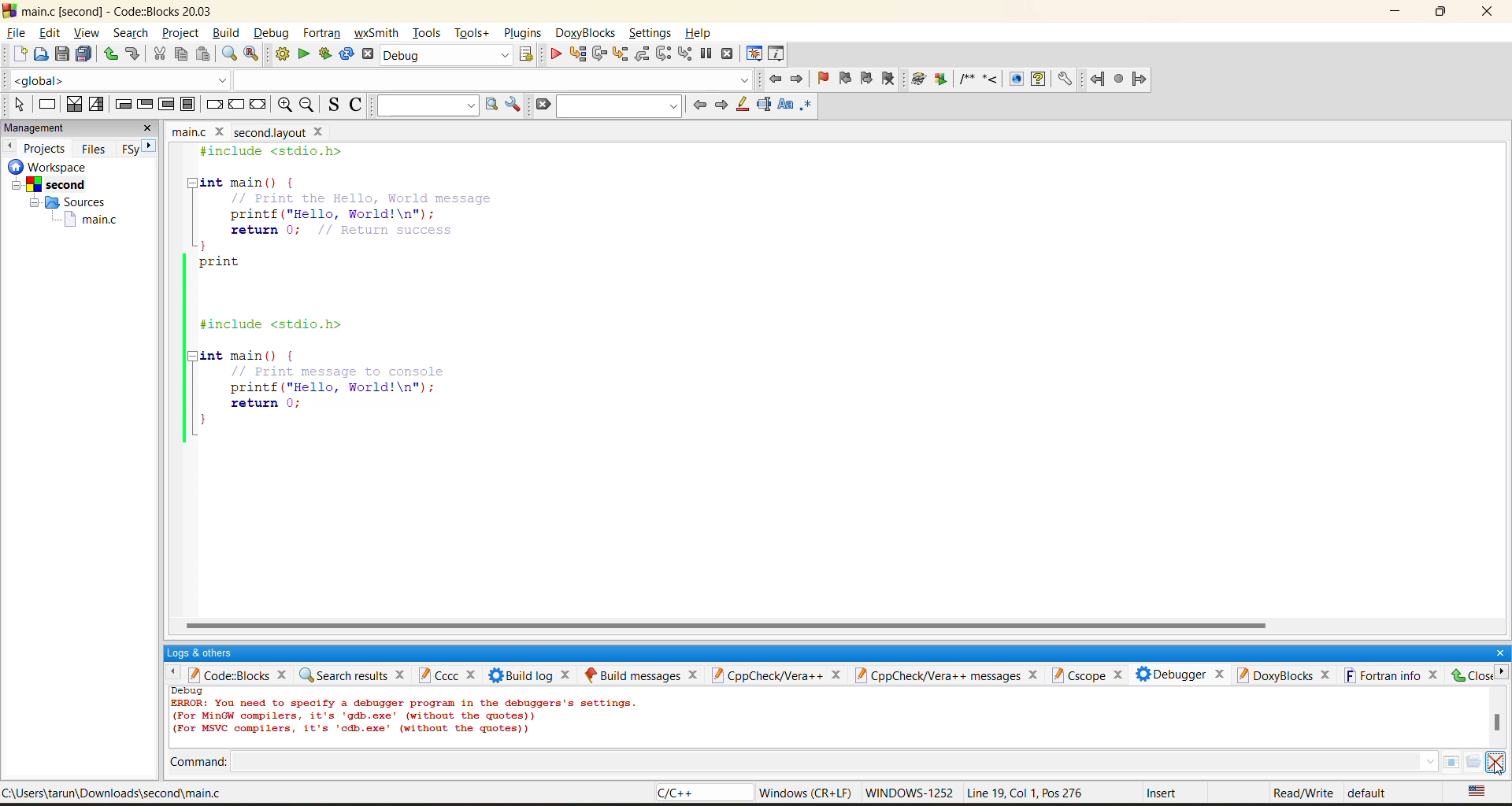  Describe the element at coordinates (229, 33) in the screenshot. I see `build` at that location.